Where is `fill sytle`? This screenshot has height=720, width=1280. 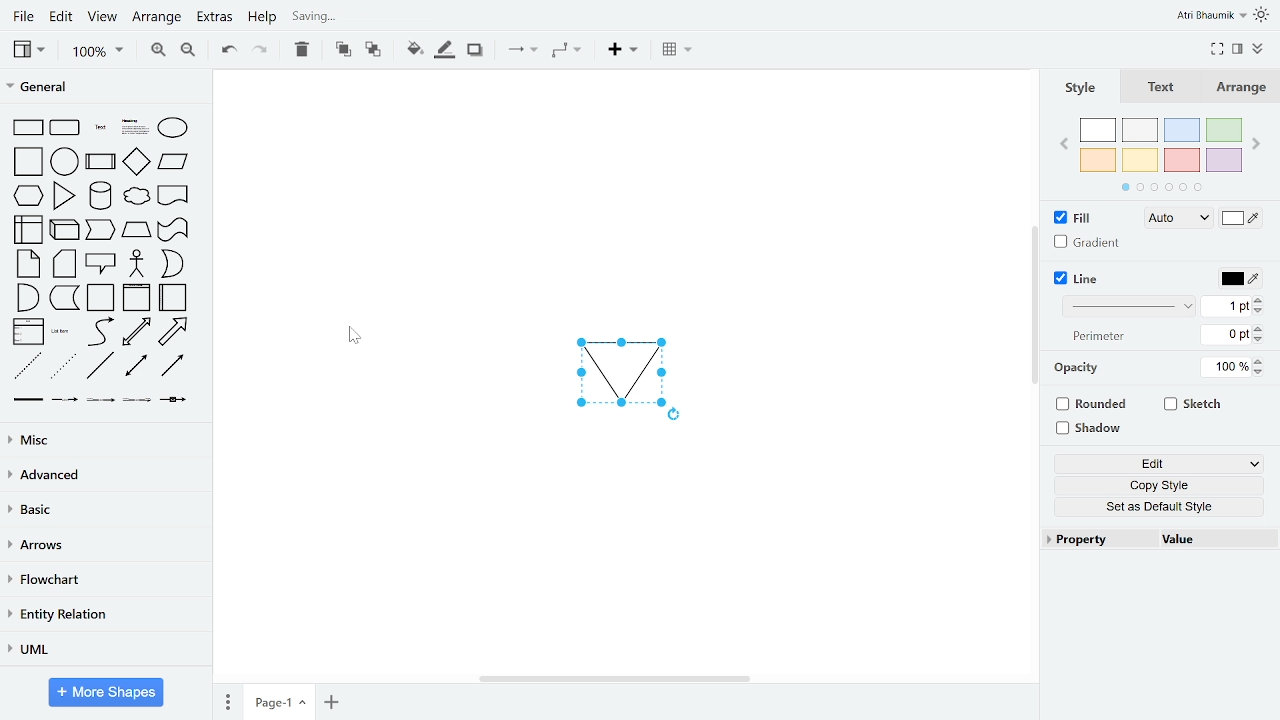
fill sytle is located at coordinates (1176, 219).